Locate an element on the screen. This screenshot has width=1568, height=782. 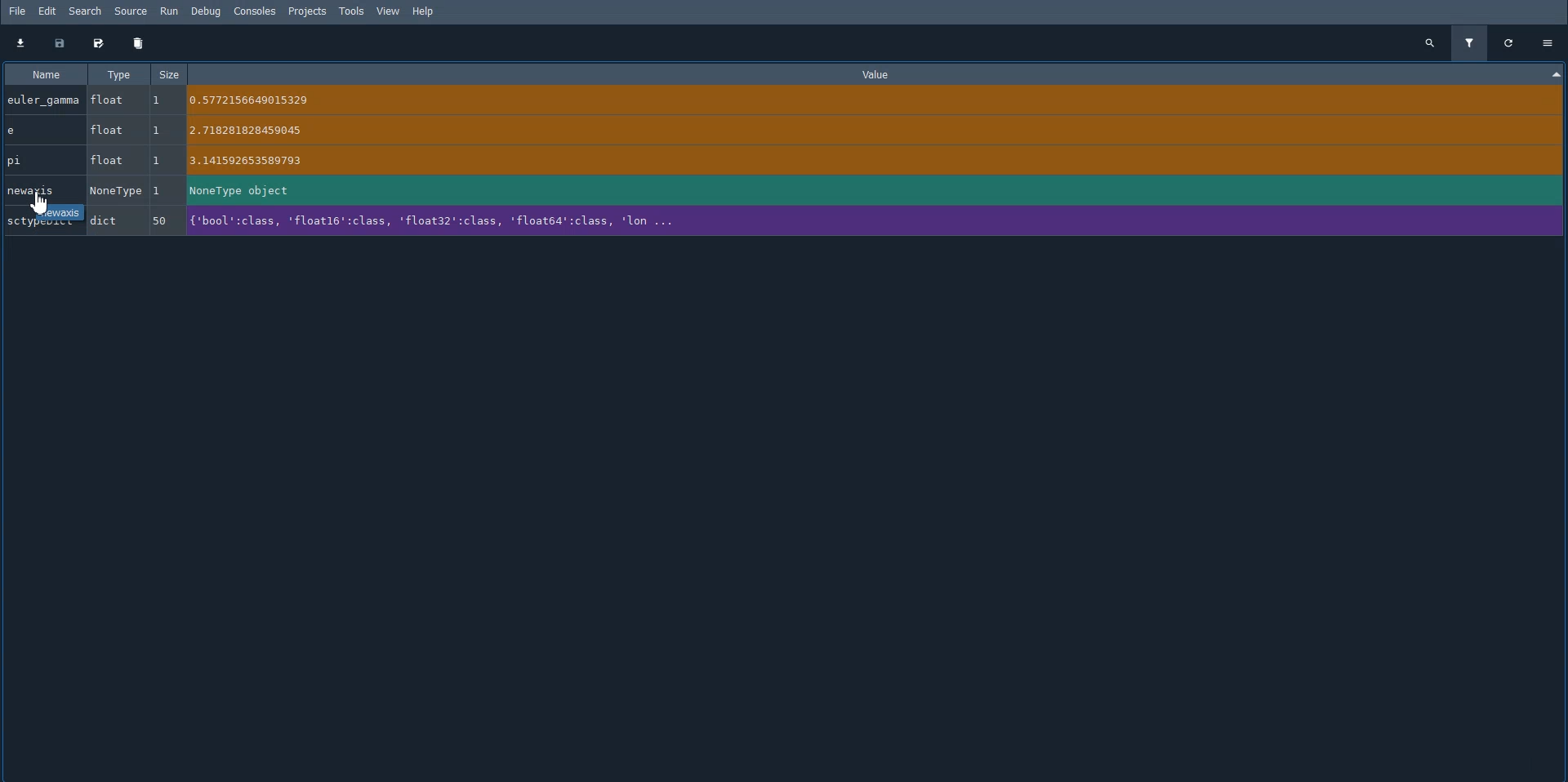
Search all variables is located at coordinates (1430, 42).